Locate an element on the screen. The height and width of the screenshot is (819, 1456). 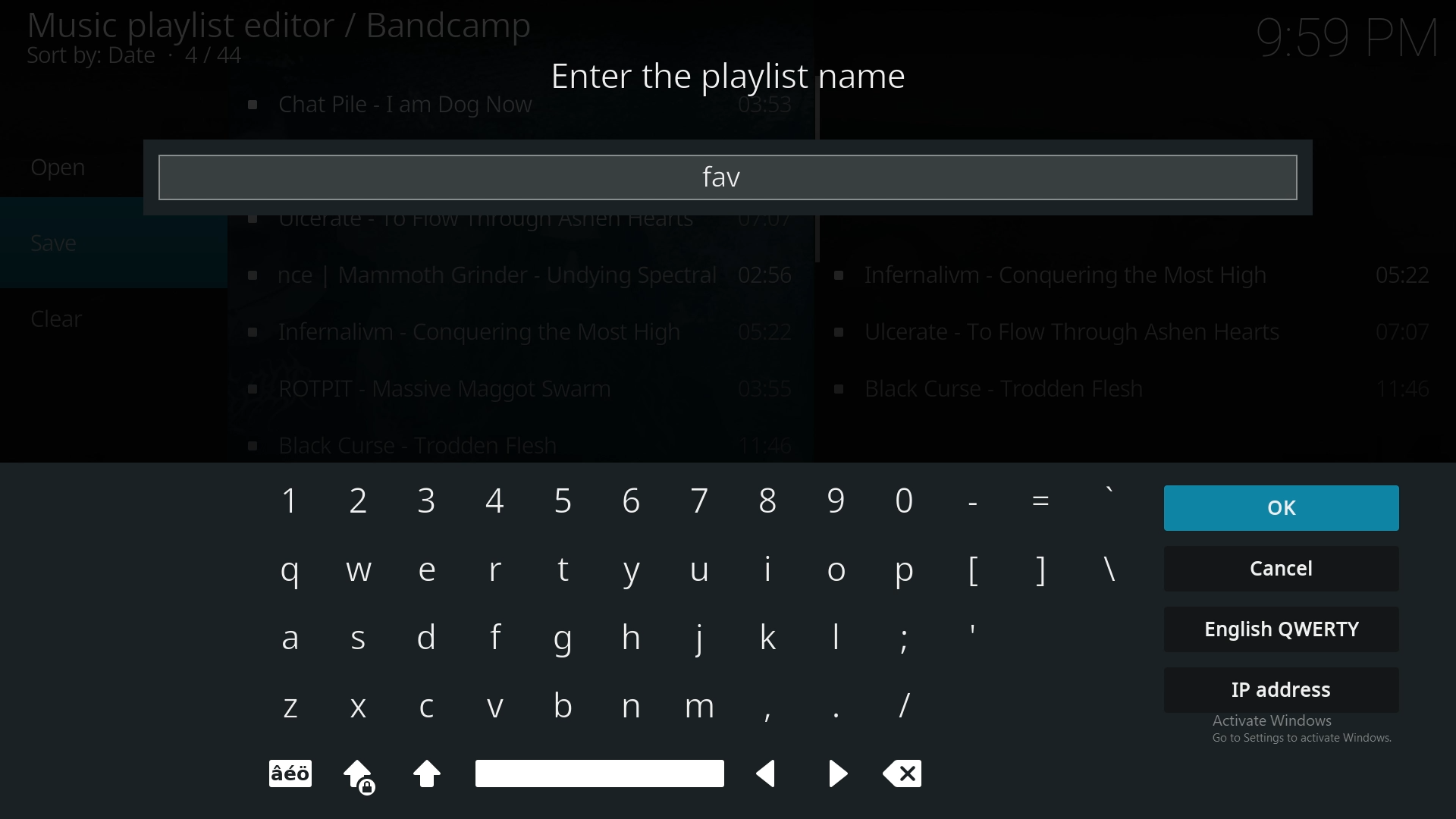
Infernalivm - Conquering the Most High 05:22 is located at coordinates (1141, 281).